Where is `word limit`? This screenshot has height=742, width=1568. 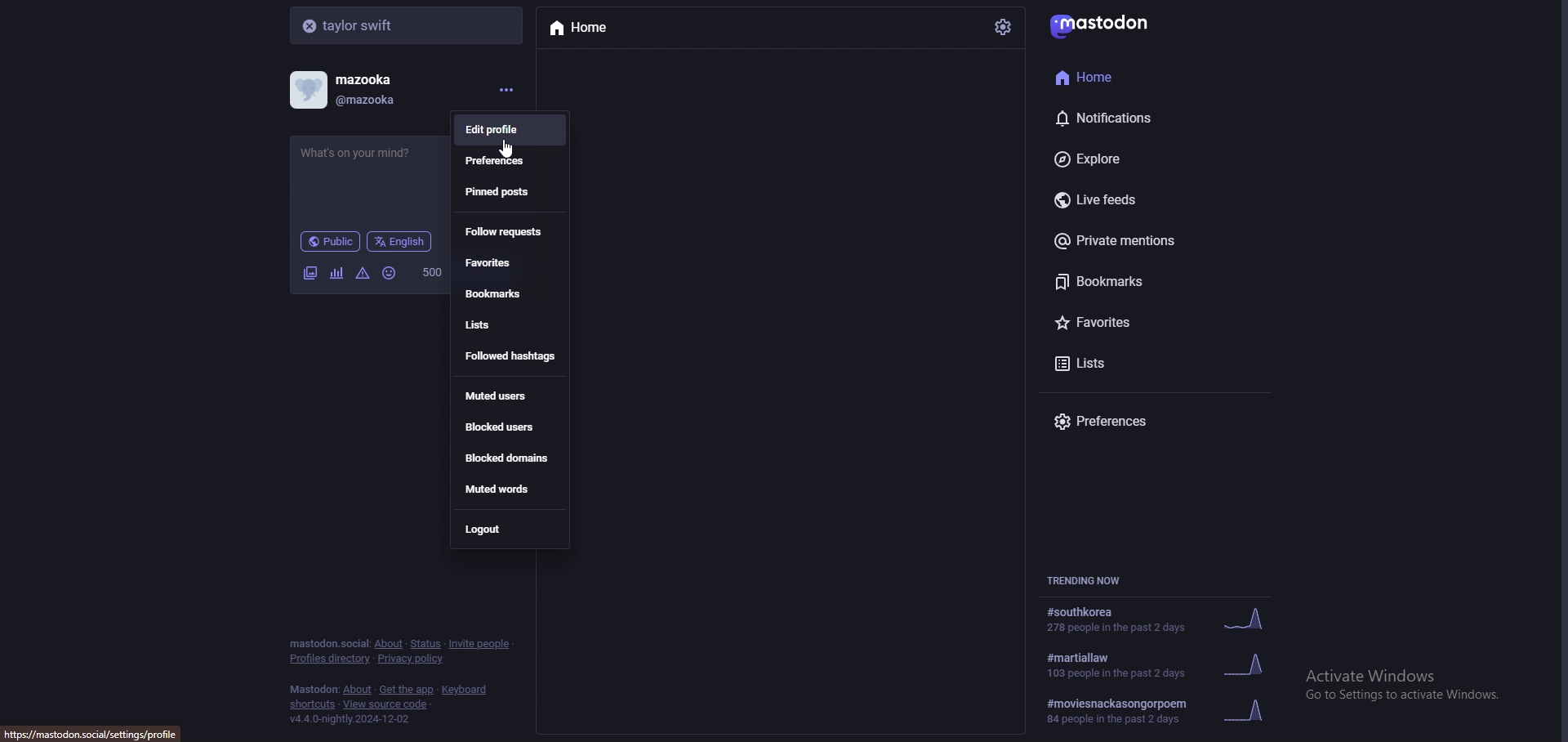
word limit is located at coordinates (431, 273).